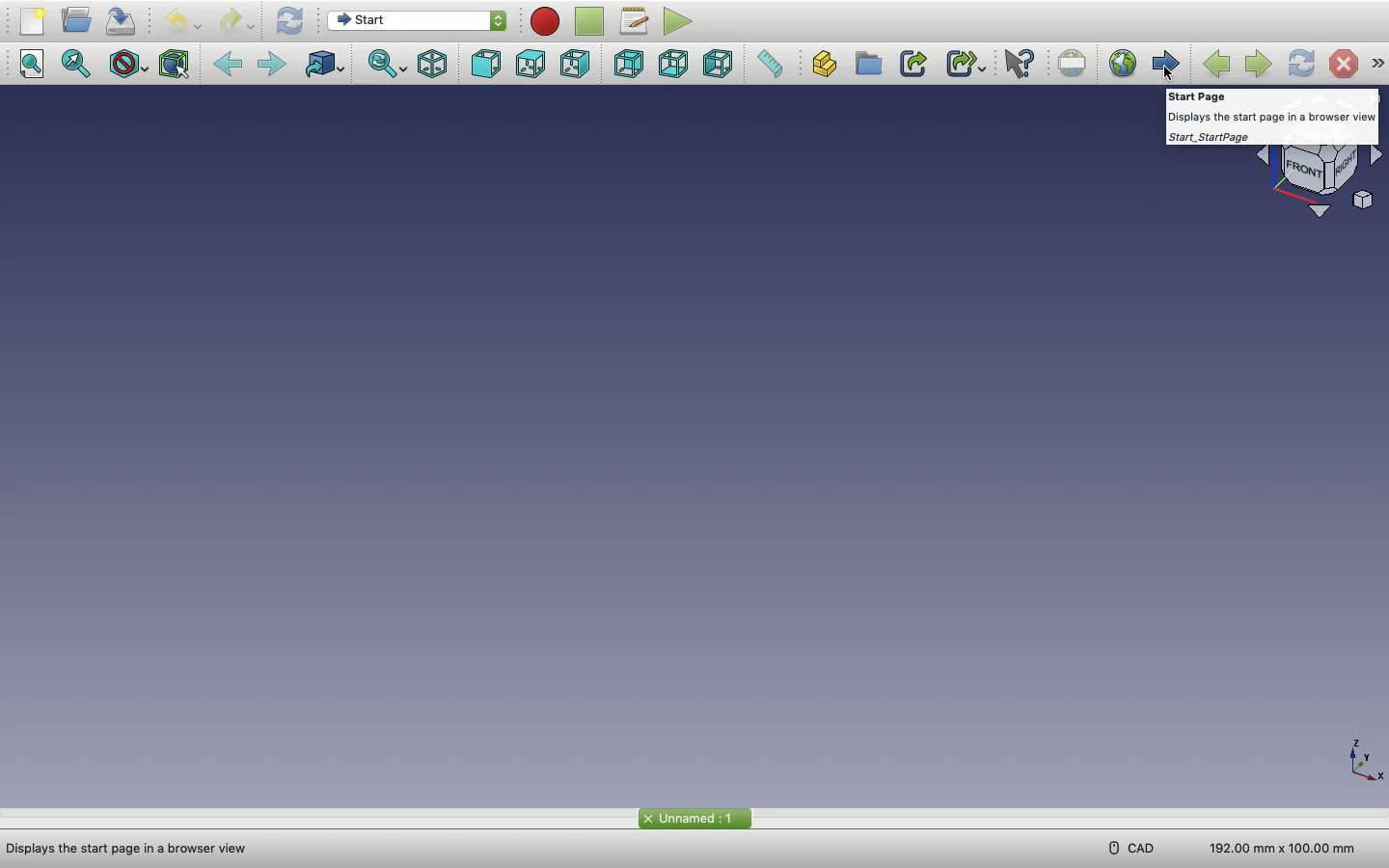  Describe the element at coordinates (591, 21) in the screenshot. I see `Stop macro recording` at that location.